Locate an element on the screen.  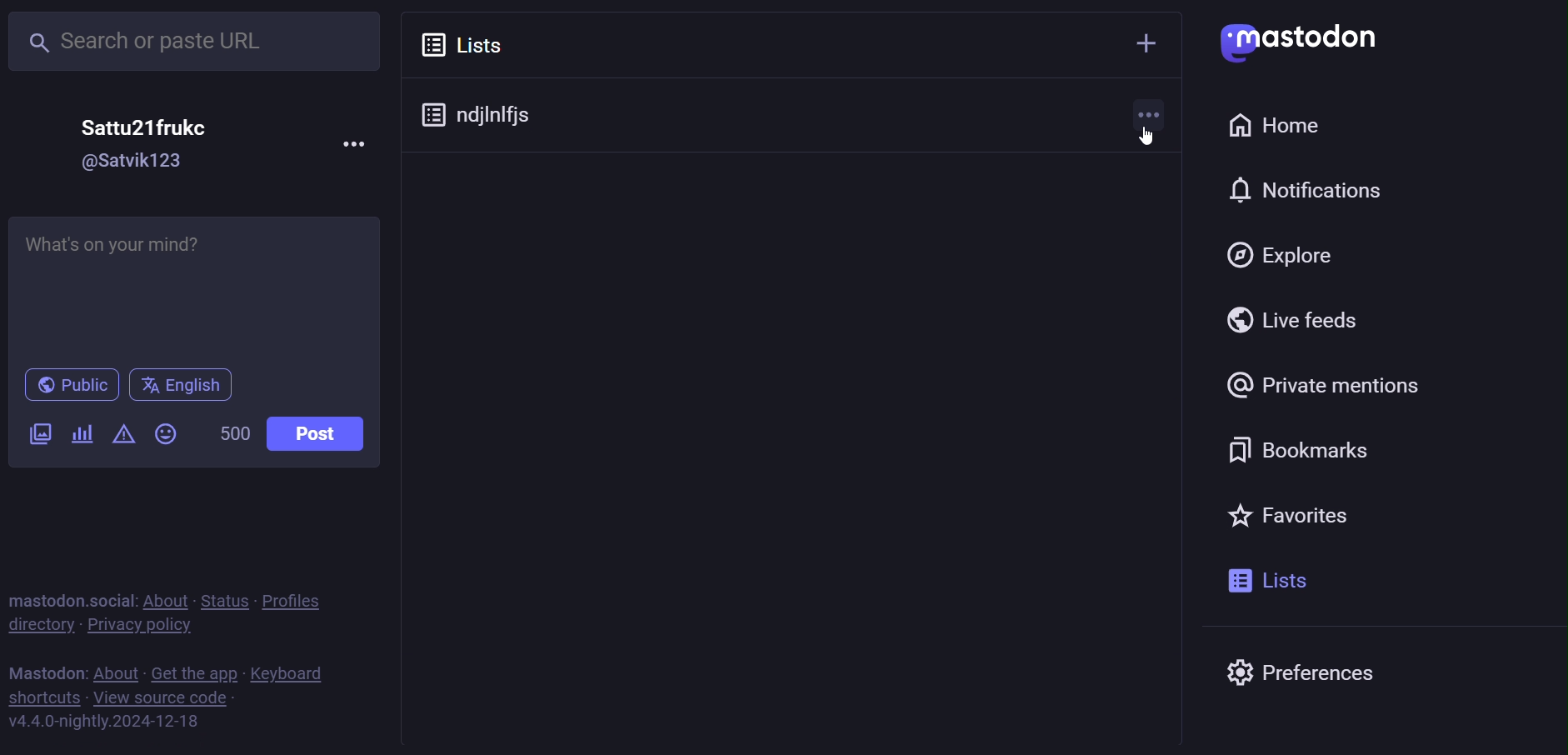
bookmark is located at coordinates (1307, 453).